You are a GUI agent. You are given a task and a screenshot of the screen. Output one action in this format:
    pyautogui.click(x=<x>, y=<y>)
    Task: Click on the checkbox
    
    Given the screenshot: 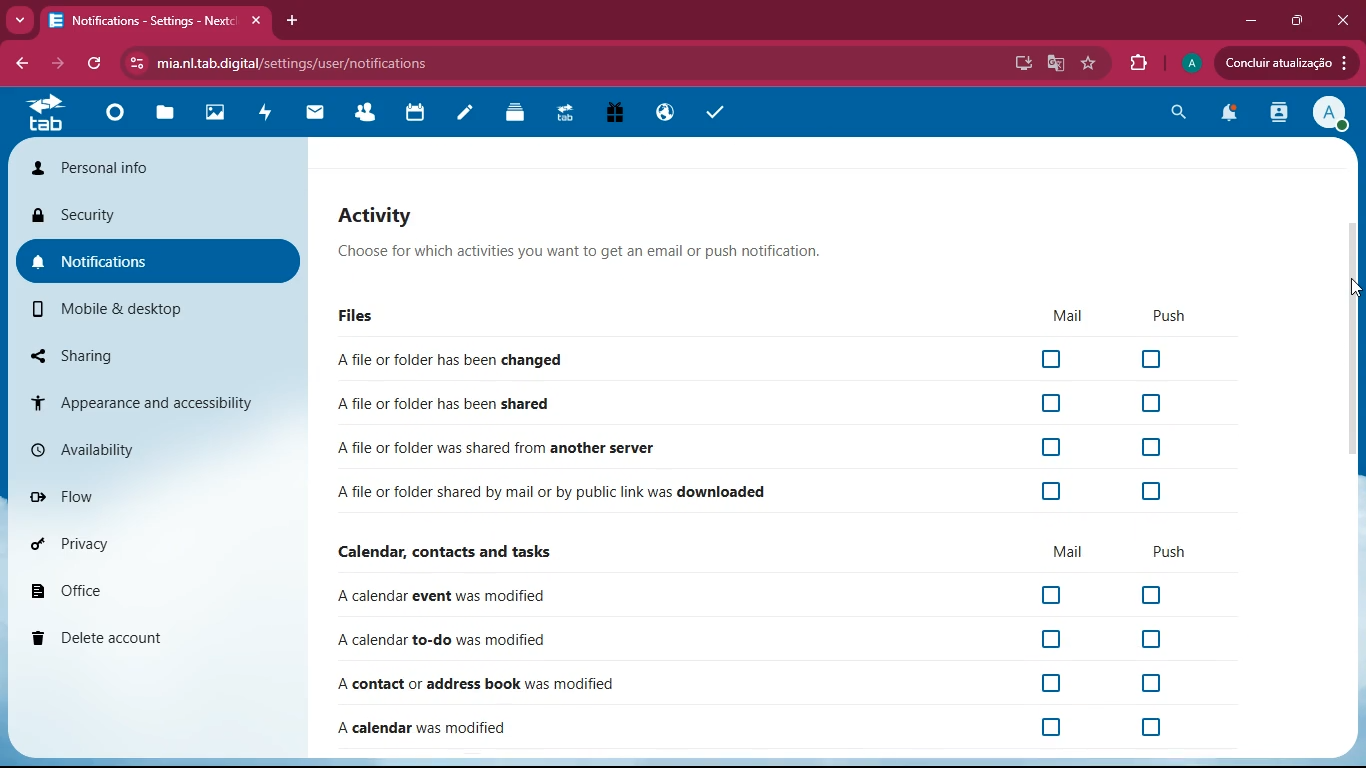 What is the action you would take?
    pyautogui.click(x=1052, y=491)
    